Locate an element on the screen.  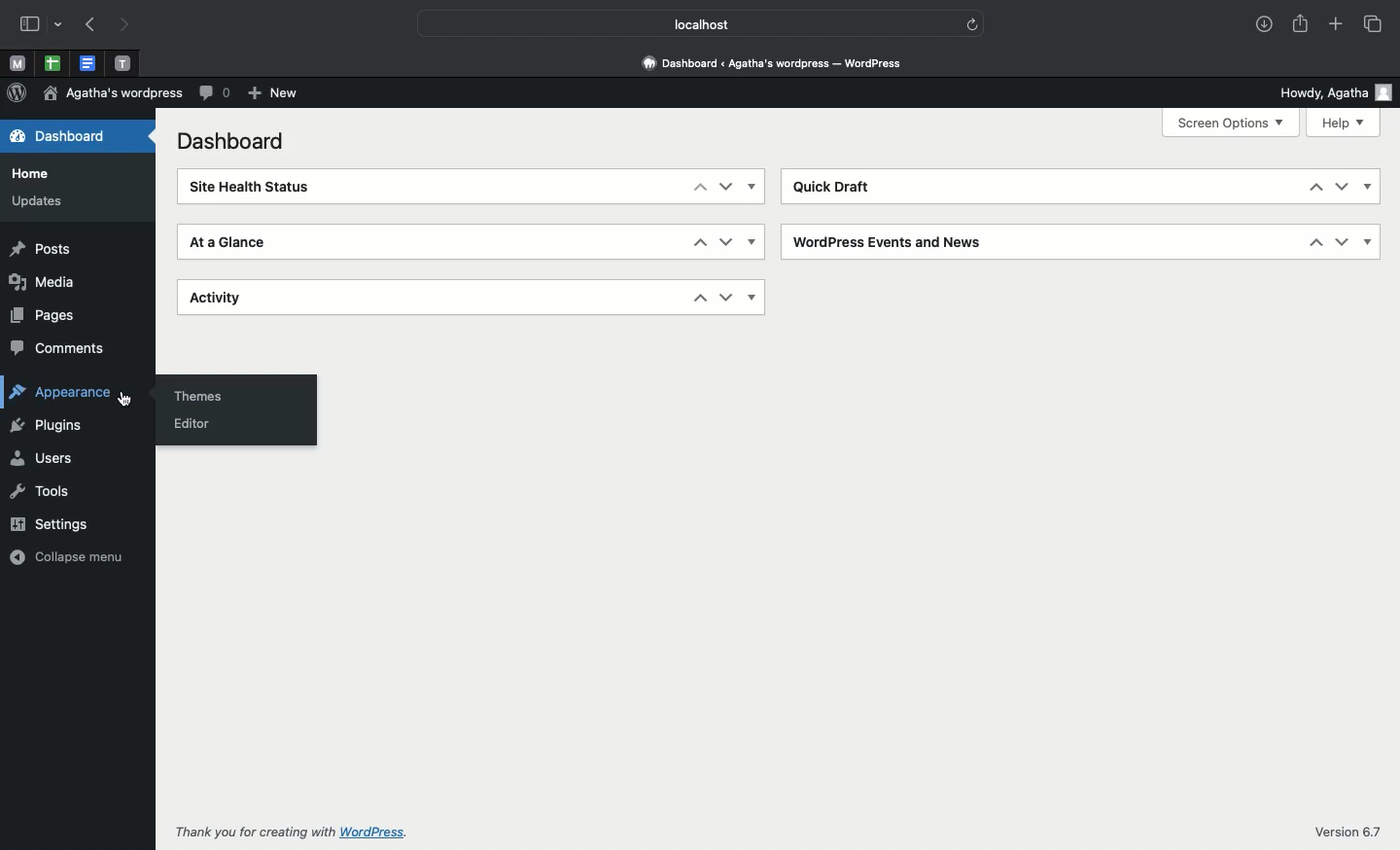
Pinned tab is located at coordinates (123, 64).